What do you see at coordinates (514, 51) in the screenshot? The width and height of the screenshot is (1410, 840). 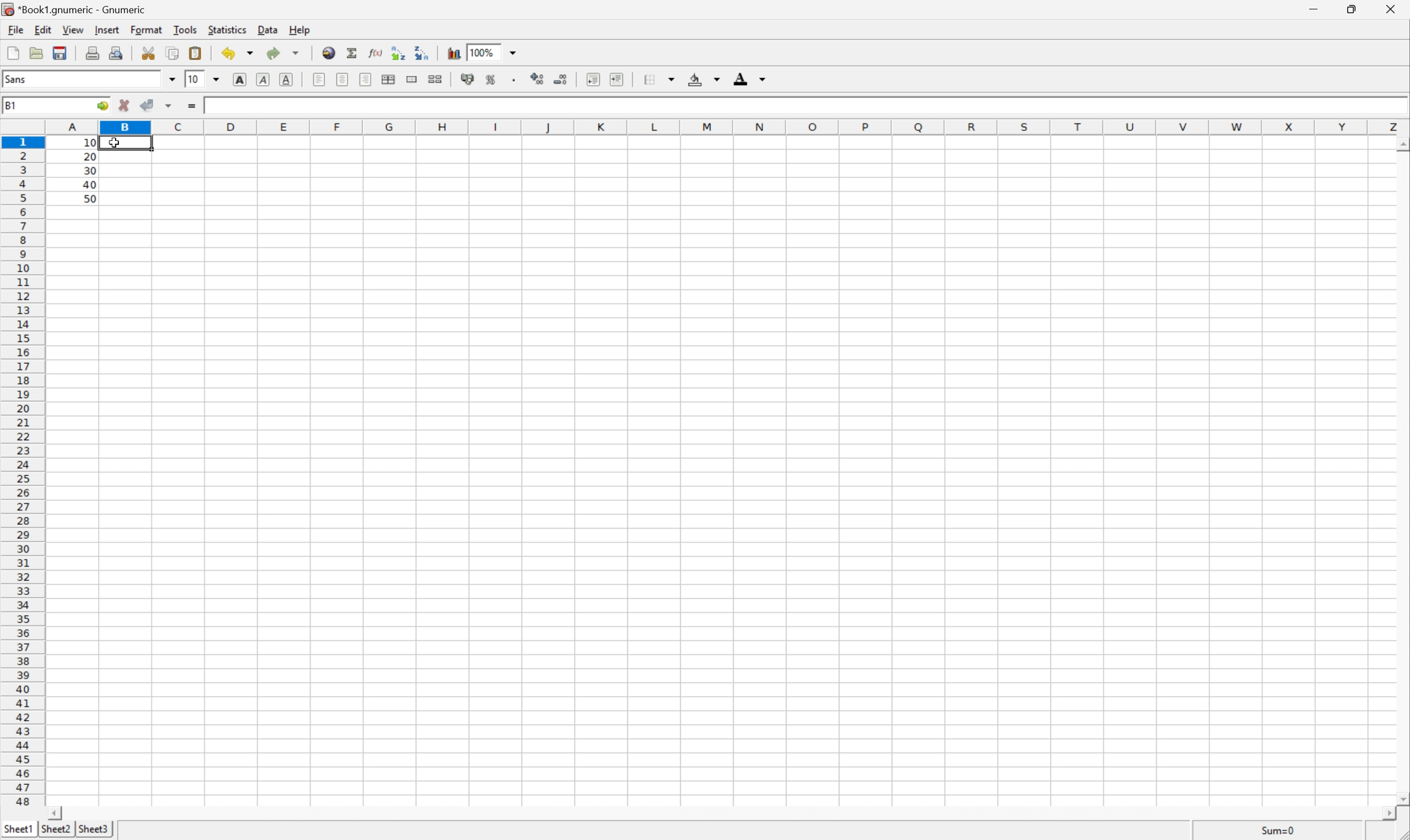 I see `Drop Down` at bounding box center [514, 51].